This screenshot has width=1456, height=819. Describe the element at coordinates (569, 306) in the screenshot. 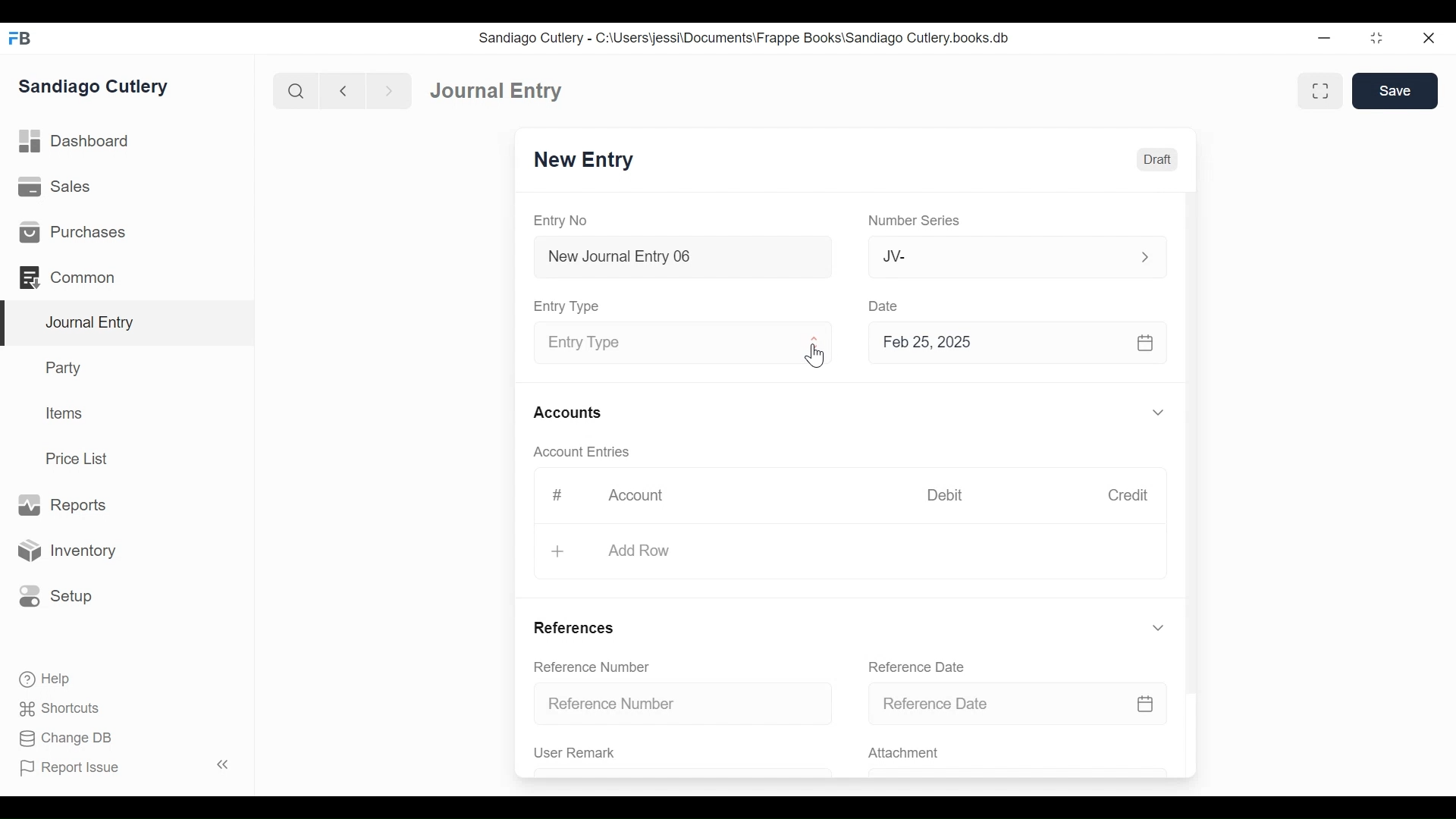

I see `Entry Type` at that location.